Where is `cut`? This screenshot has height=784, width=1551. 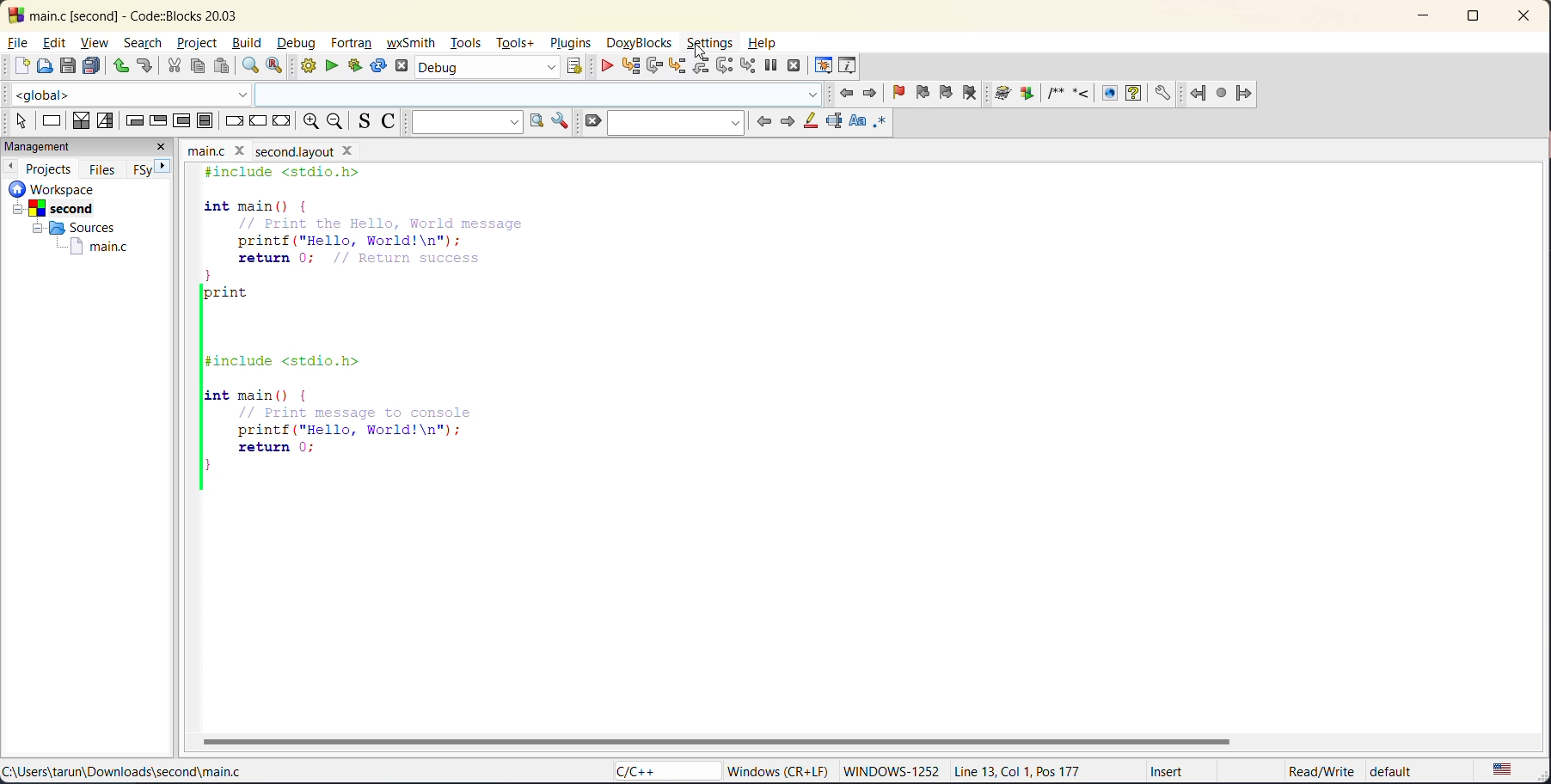 cut is located at coordinates (173, 66).